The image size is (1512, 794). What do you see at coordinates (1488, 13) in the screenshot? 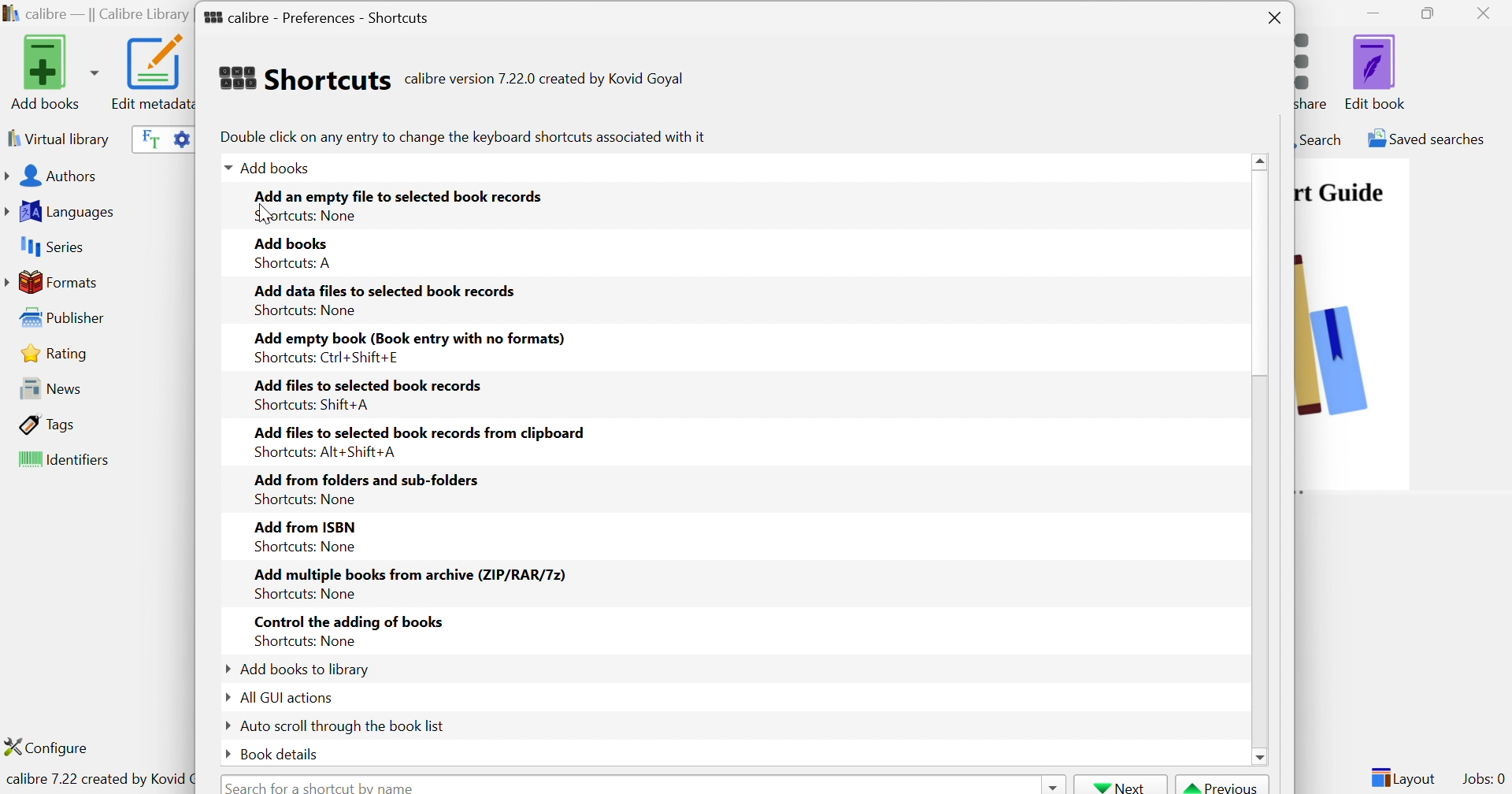
I see `Close` at bounding box center [1488, 13].